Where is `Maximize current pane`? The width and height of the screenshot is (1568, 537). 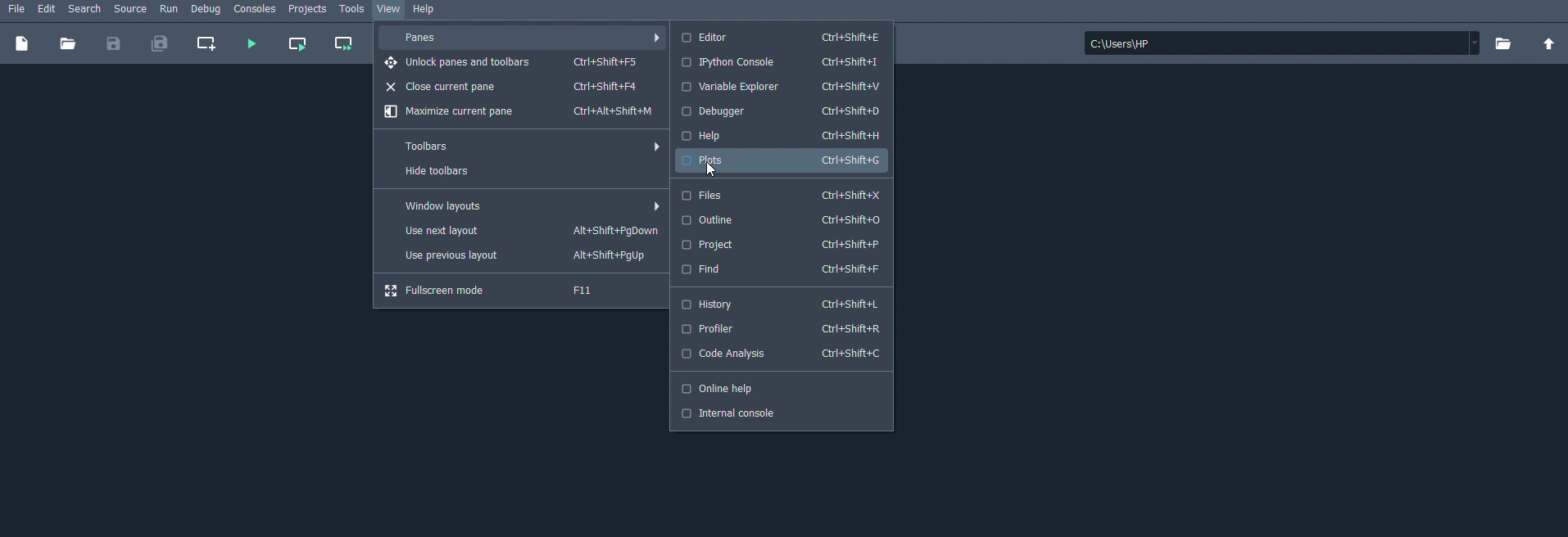 Maximize current pane is located at coordinates (520, 112).